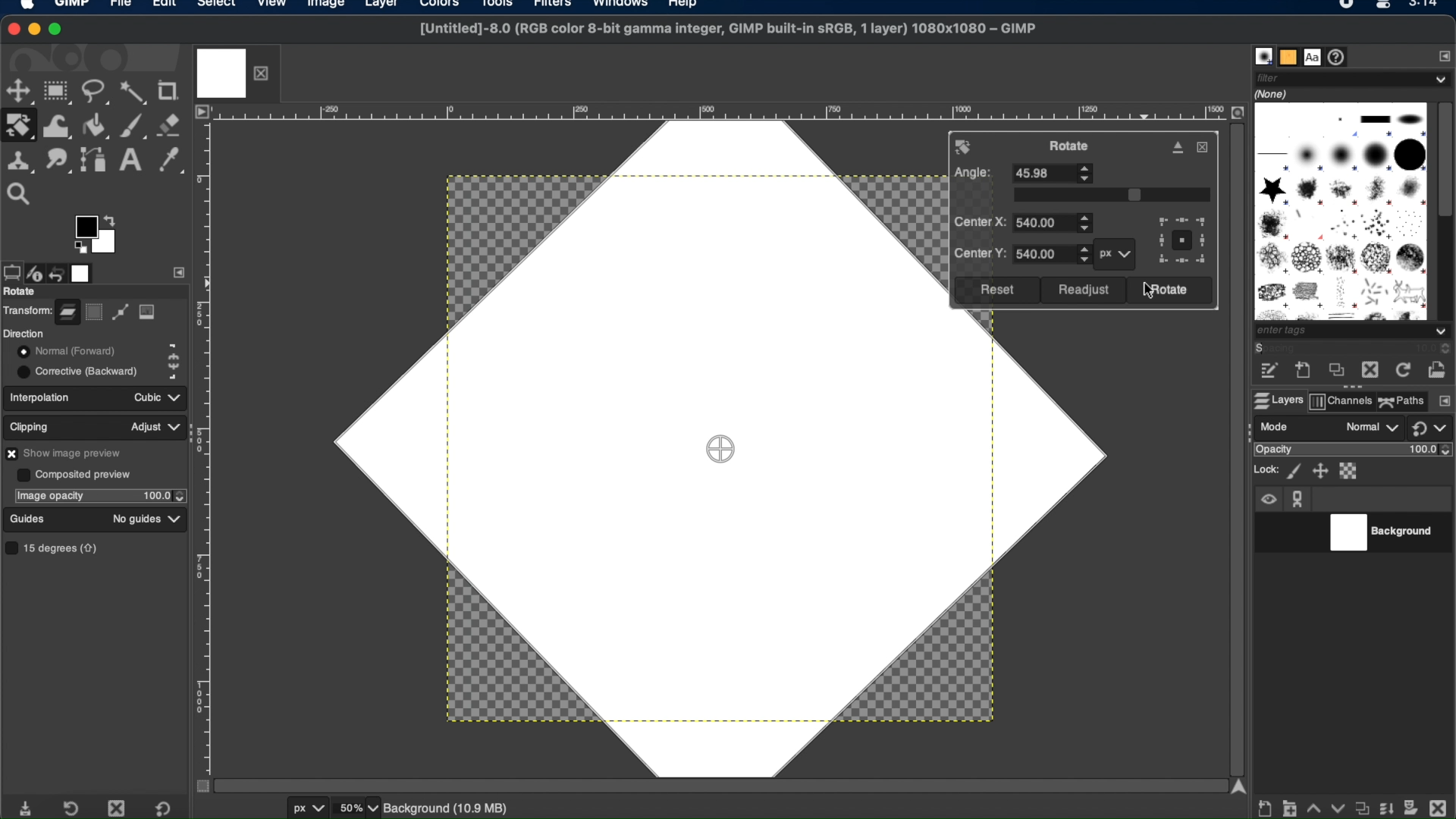  Describe the element at coordinates (1112, 254) in the screenshot. I see `px` at that location.